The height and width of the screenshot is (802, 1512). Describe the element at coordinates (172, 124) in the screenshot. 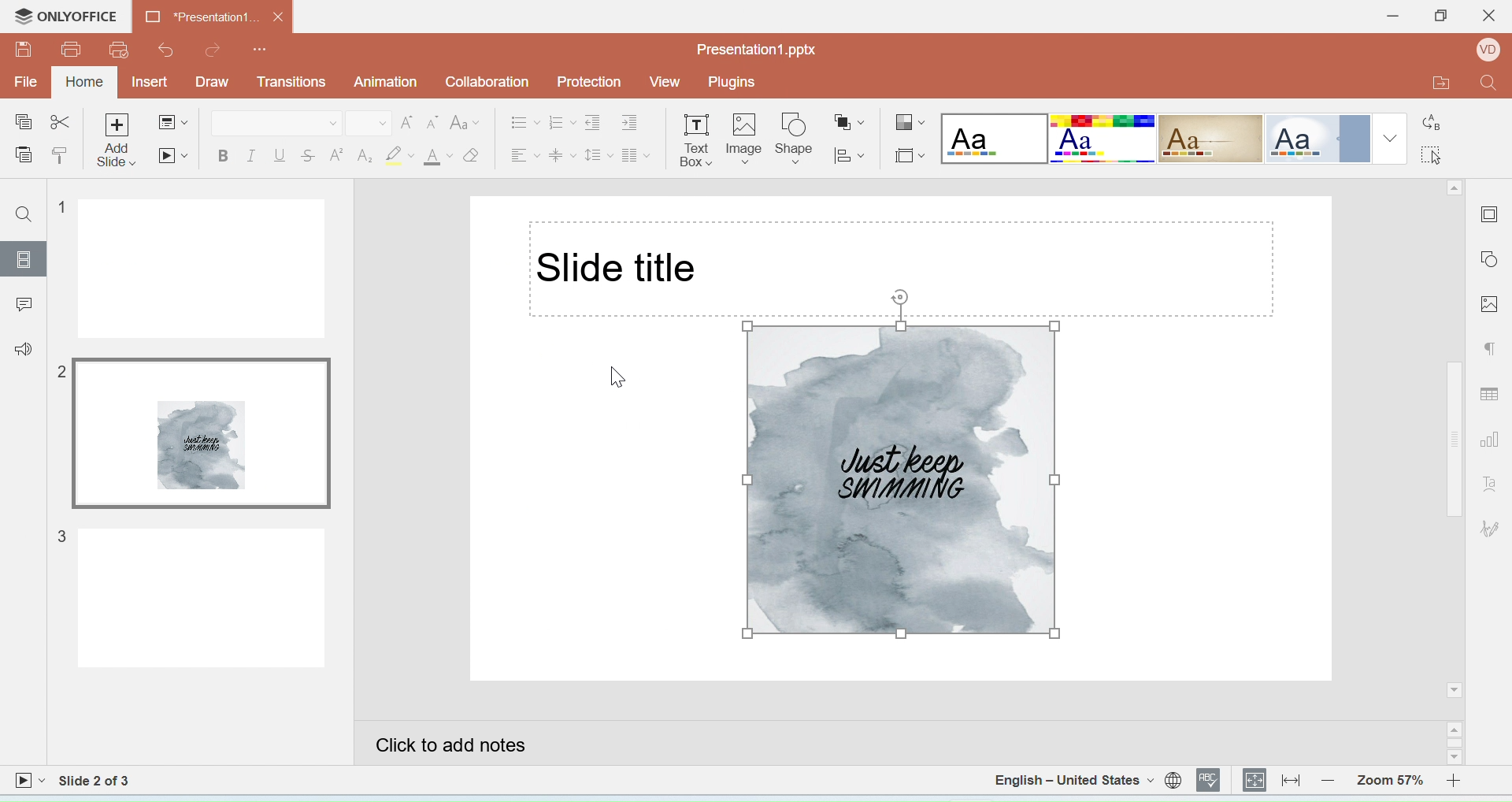

I see `Change slide layout` at that location.